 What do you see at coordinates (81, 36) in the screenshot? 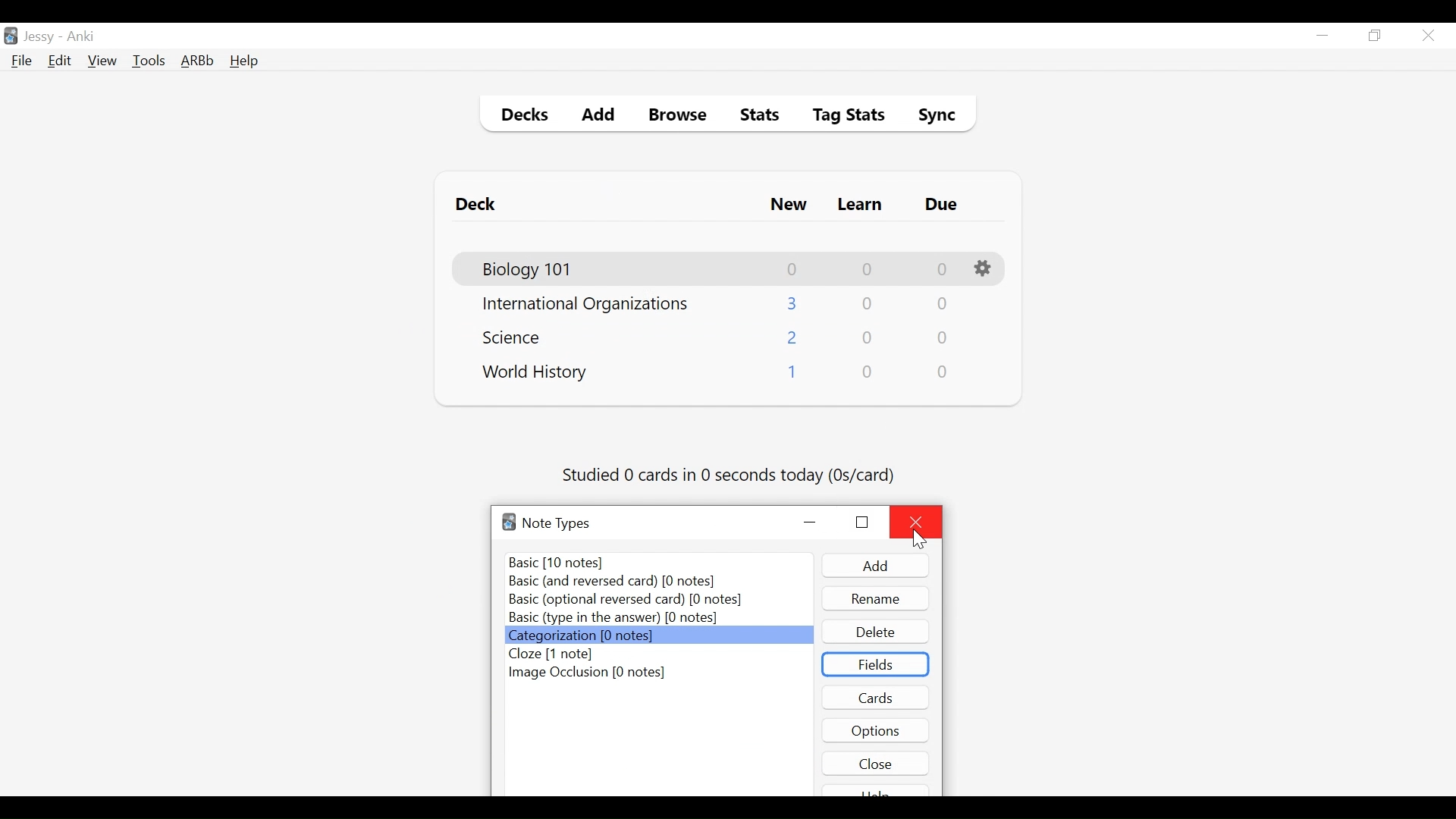
I see `Anki` at bounding box center [81, 36].